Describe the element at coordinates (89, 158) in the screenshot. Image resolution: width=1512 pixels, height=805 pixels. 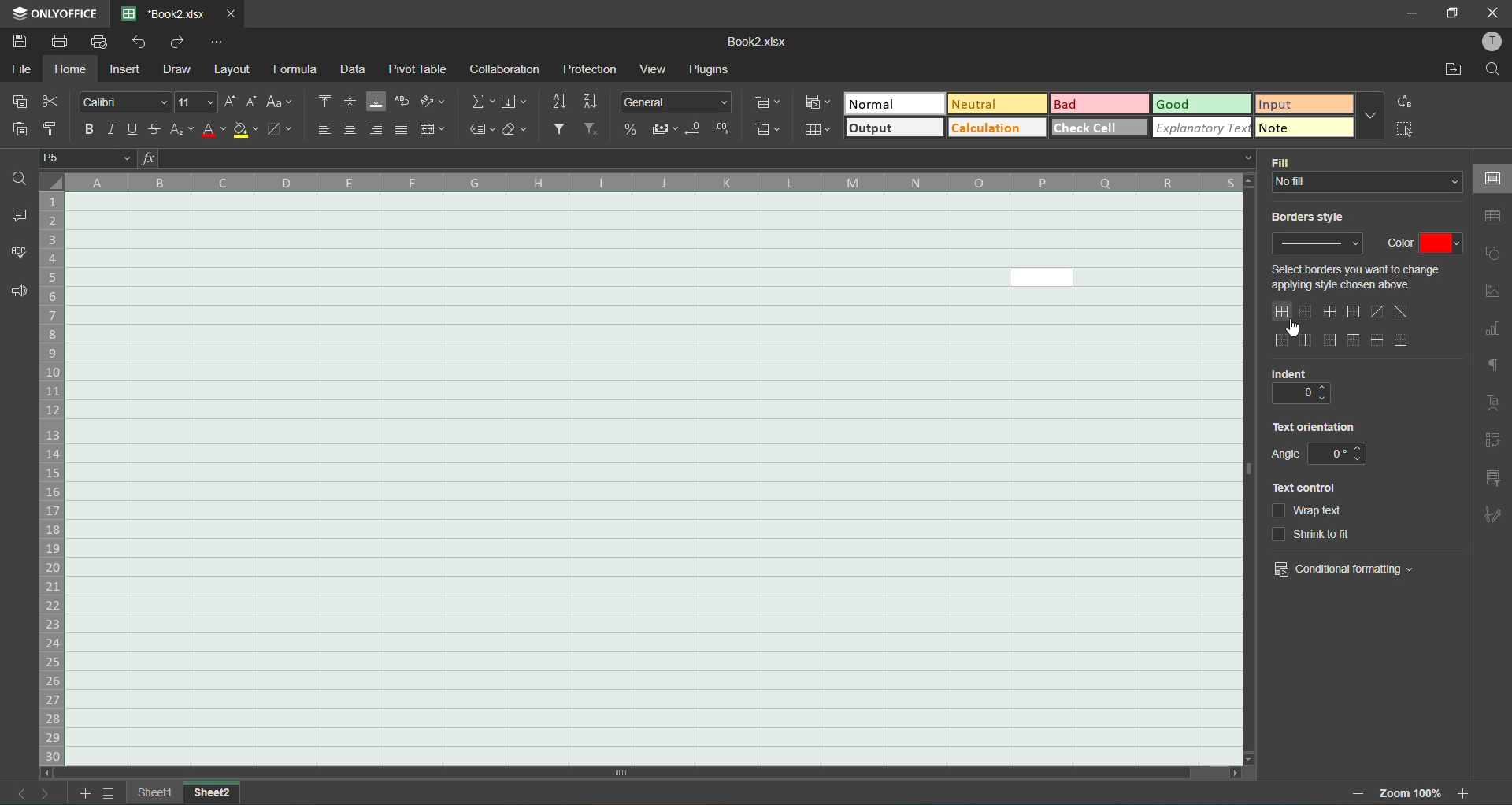
I see `P5` at that location.